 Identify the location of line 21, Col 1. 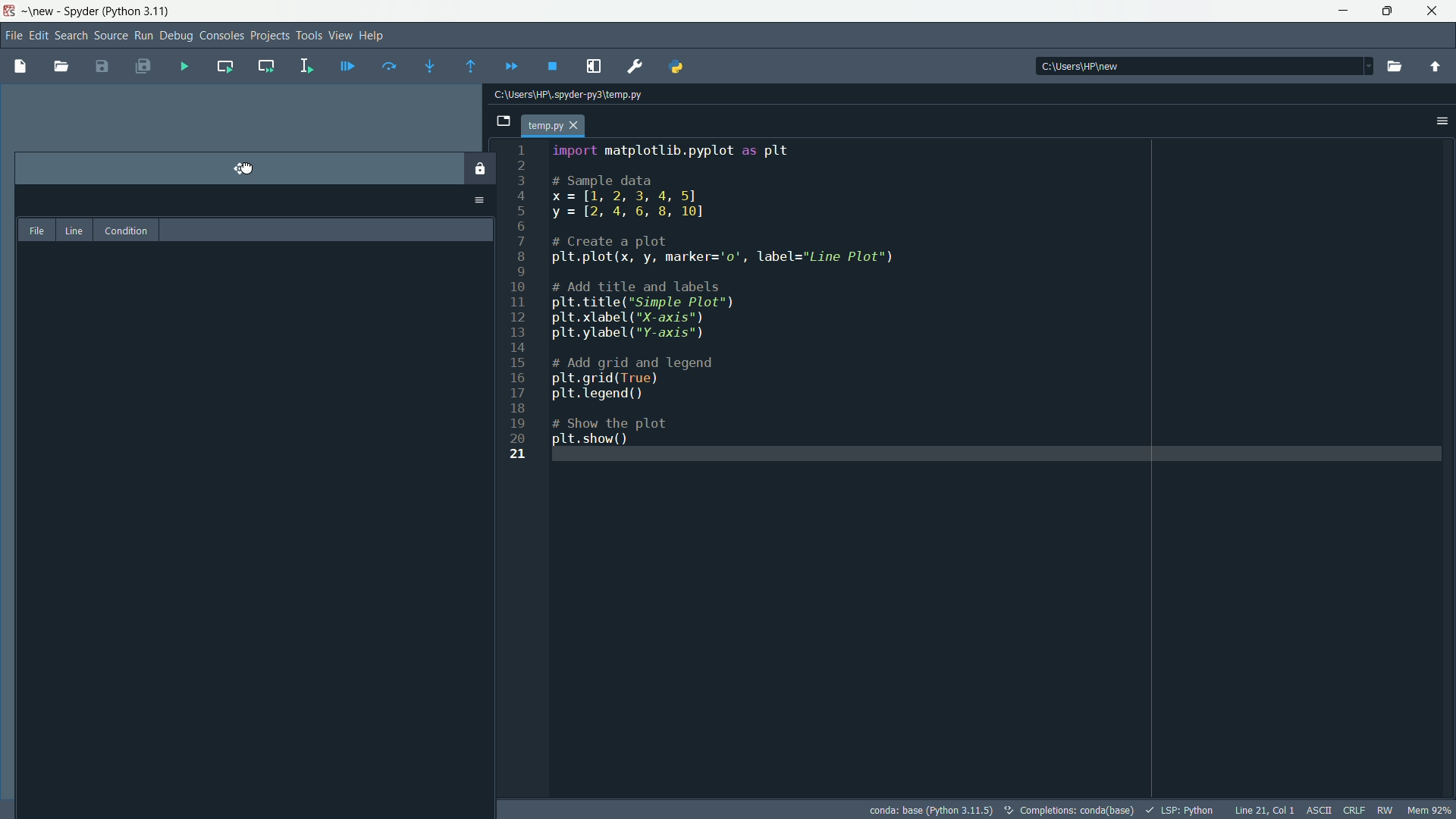
(1263, 810).